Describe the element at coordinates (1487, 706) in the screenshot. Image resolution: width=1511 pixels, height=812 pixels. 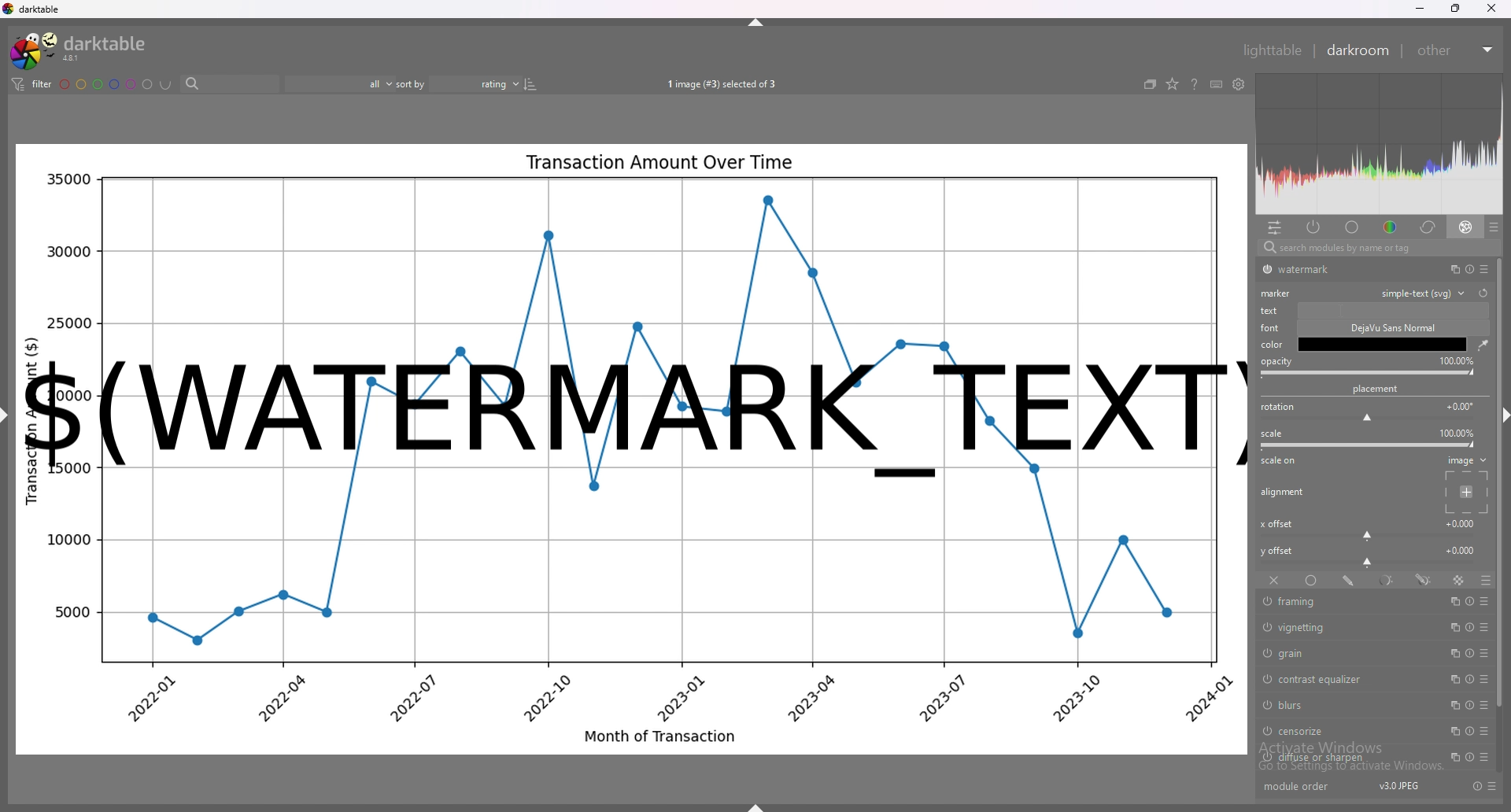
I see `presets` at that location.